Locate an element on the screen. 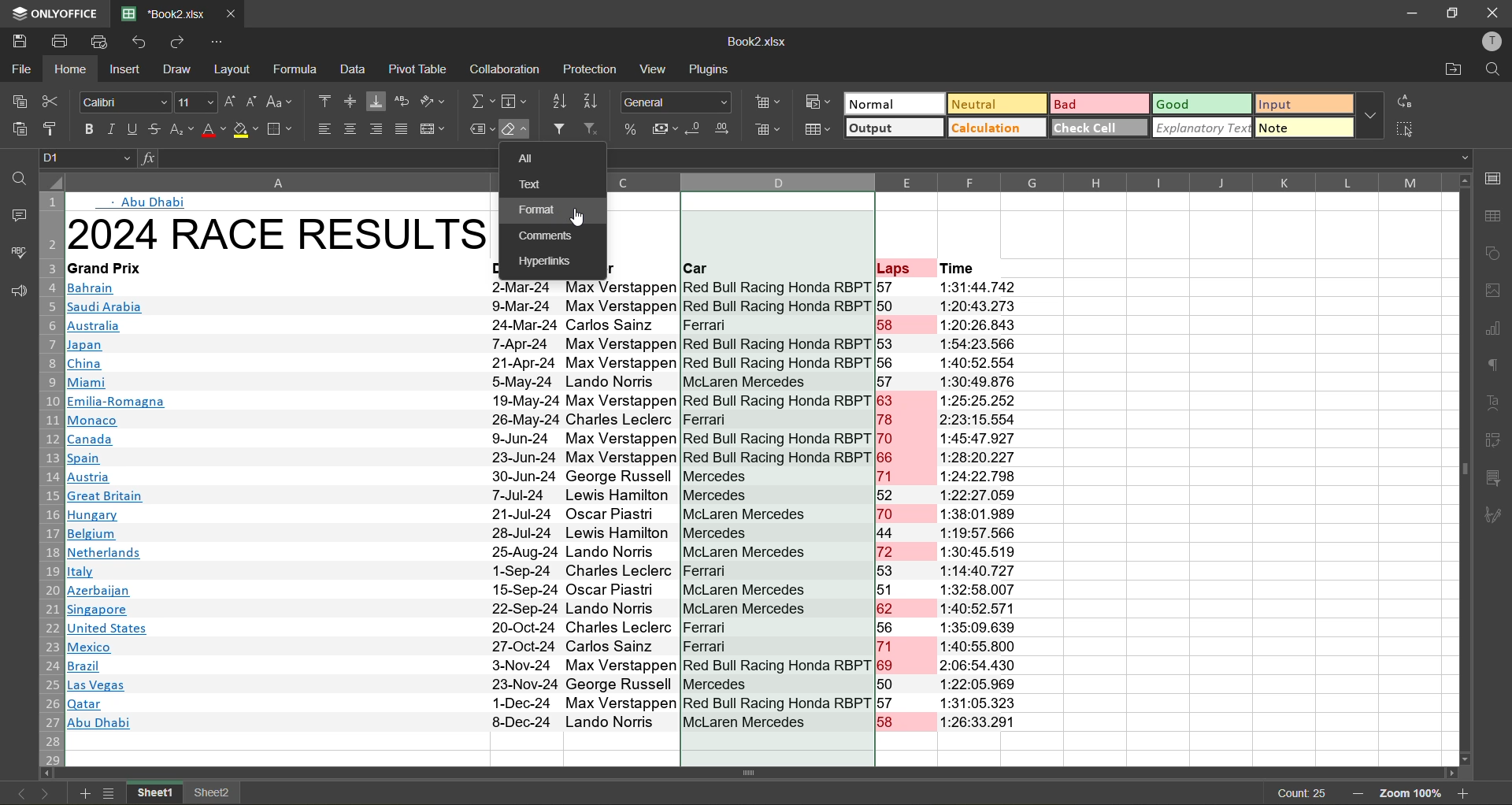  Wl Azerbaijan 15-Sep-24 Oscar Piastri McLaren Mercedes 51 1:32:58.007 is located at coordinates (545, 589).